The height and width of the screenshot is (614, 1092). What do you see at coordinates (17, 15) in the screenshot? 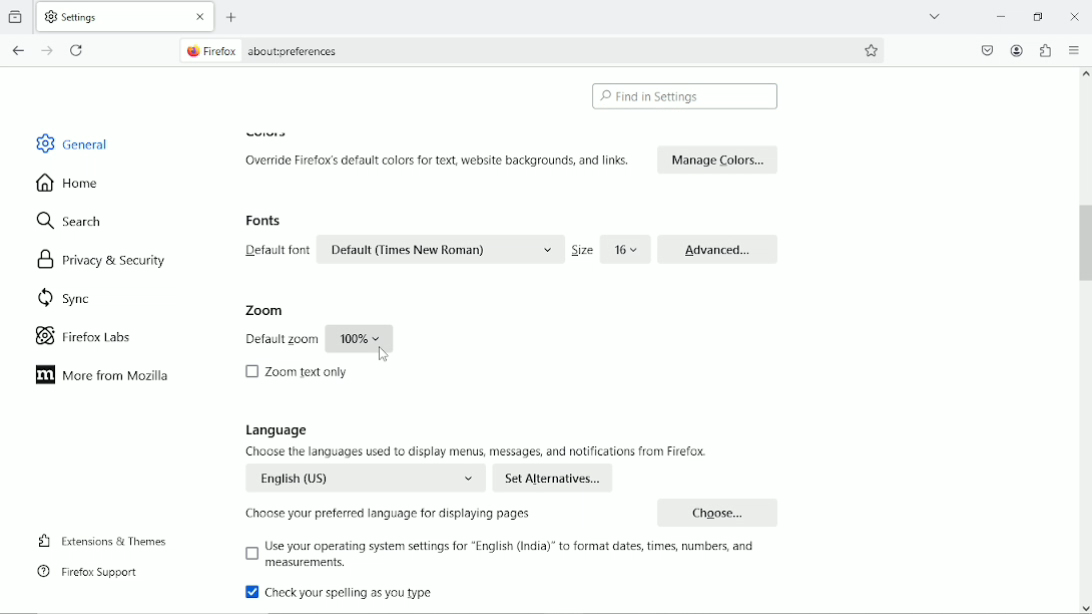
I see `View recent browsing` at bounding box center [17, 15].